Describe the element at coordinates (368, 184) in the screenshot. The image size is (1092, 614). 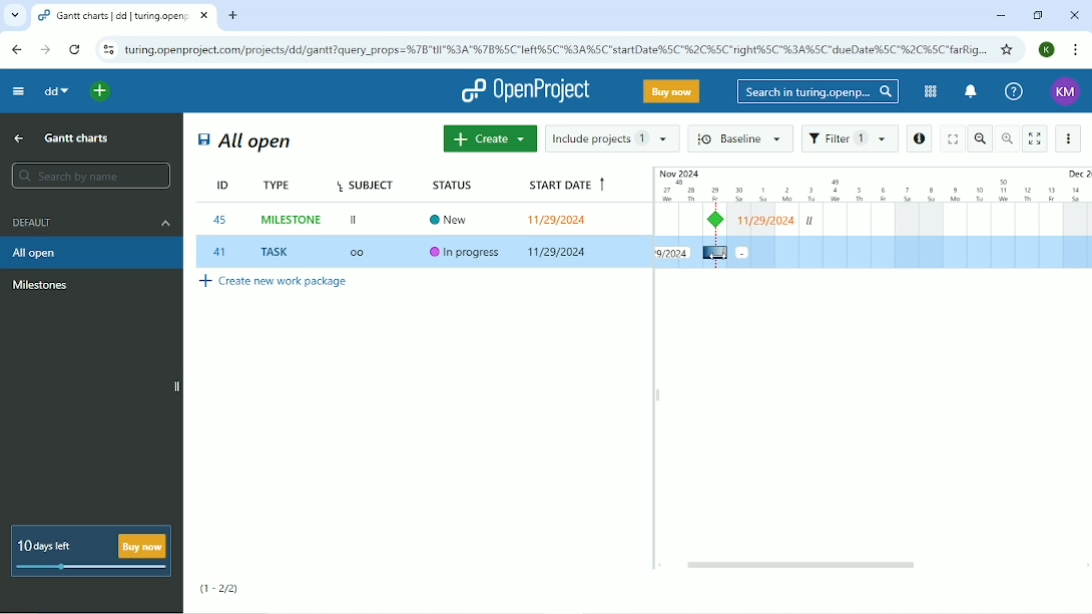
I see `Subject` at that location.